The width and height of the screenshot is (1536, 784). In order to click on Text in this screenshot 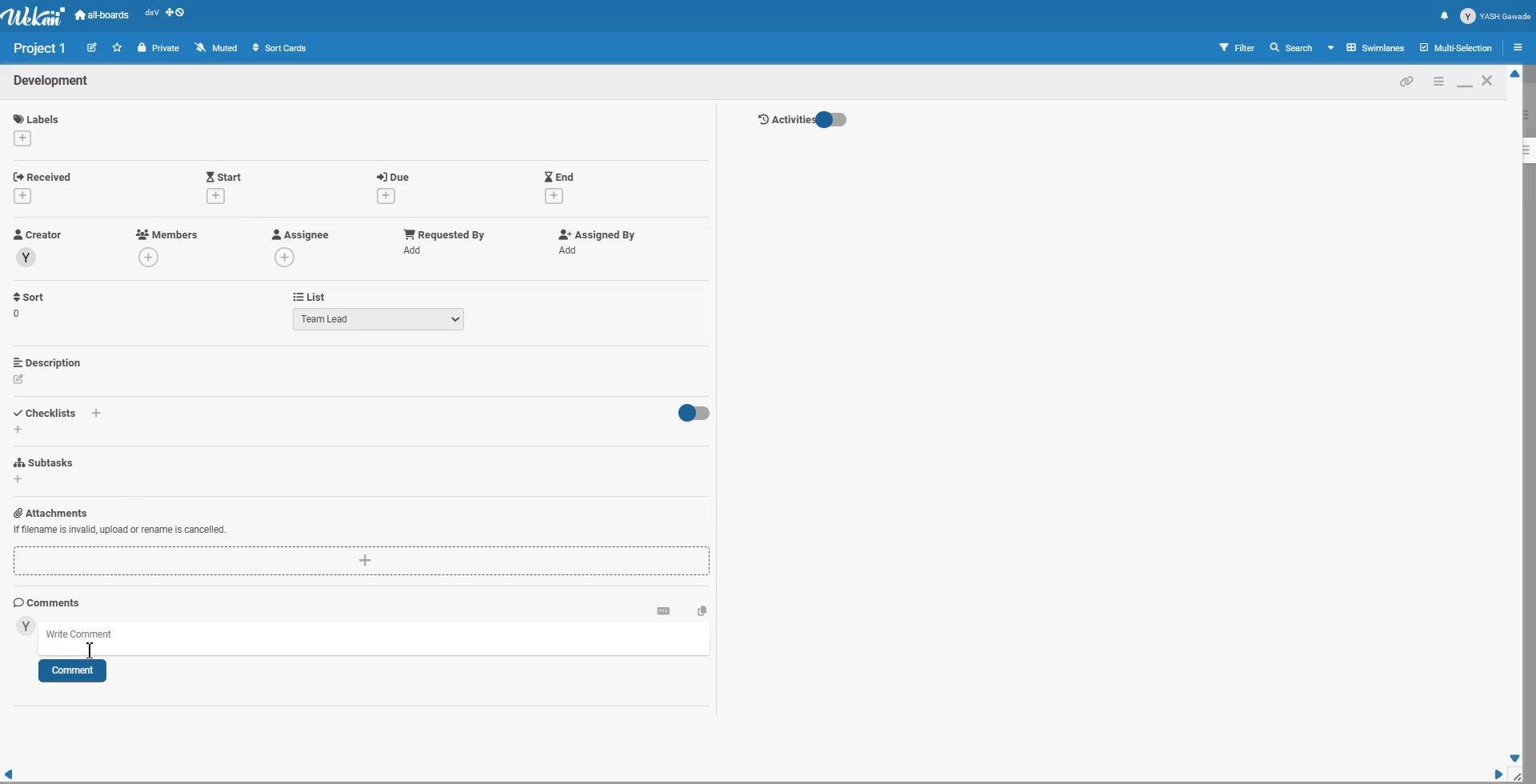, I will do `click(52, 82)`.